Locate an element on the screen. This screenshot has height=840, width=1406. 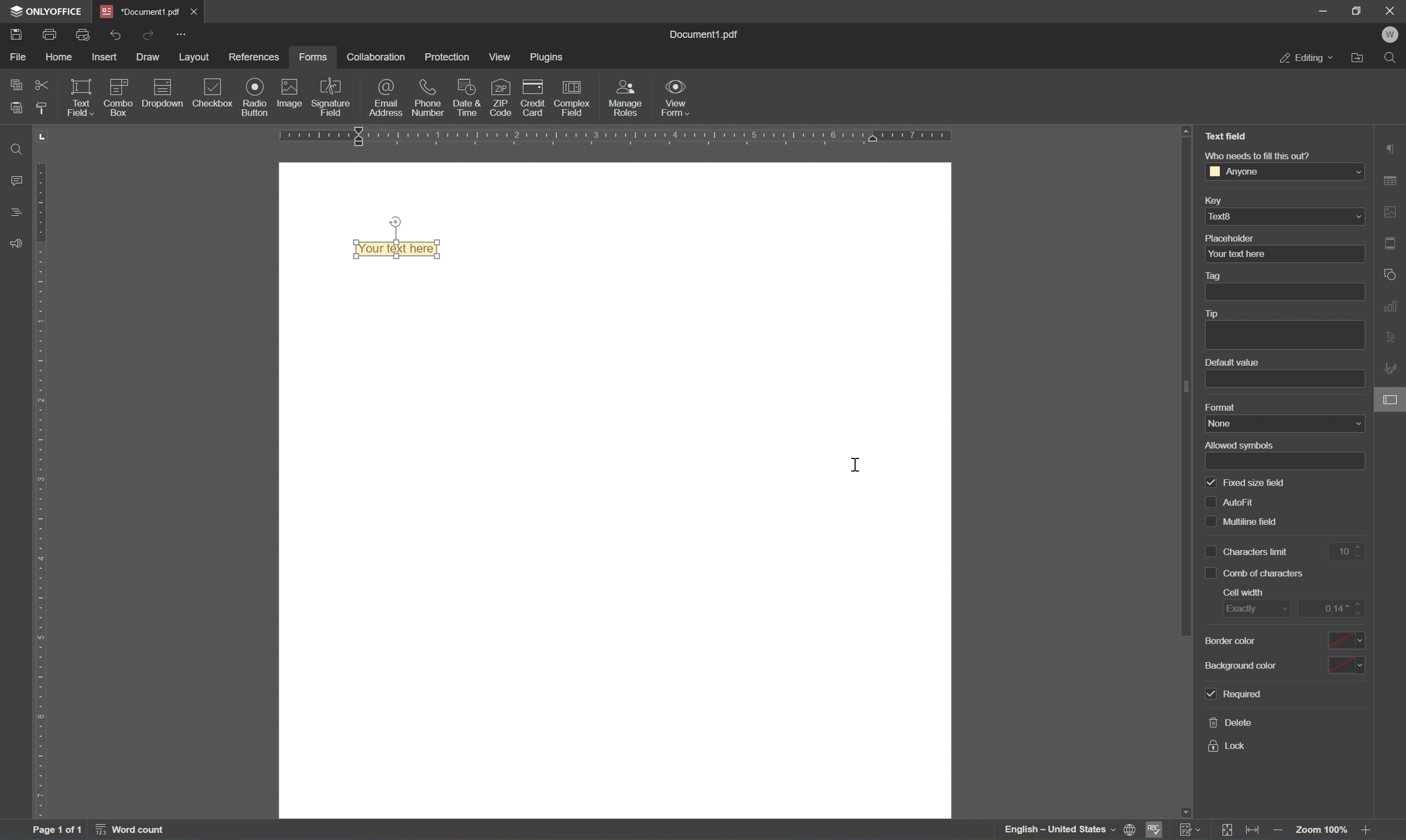
Page 1 of 1 is located at coordinates (57, 832).